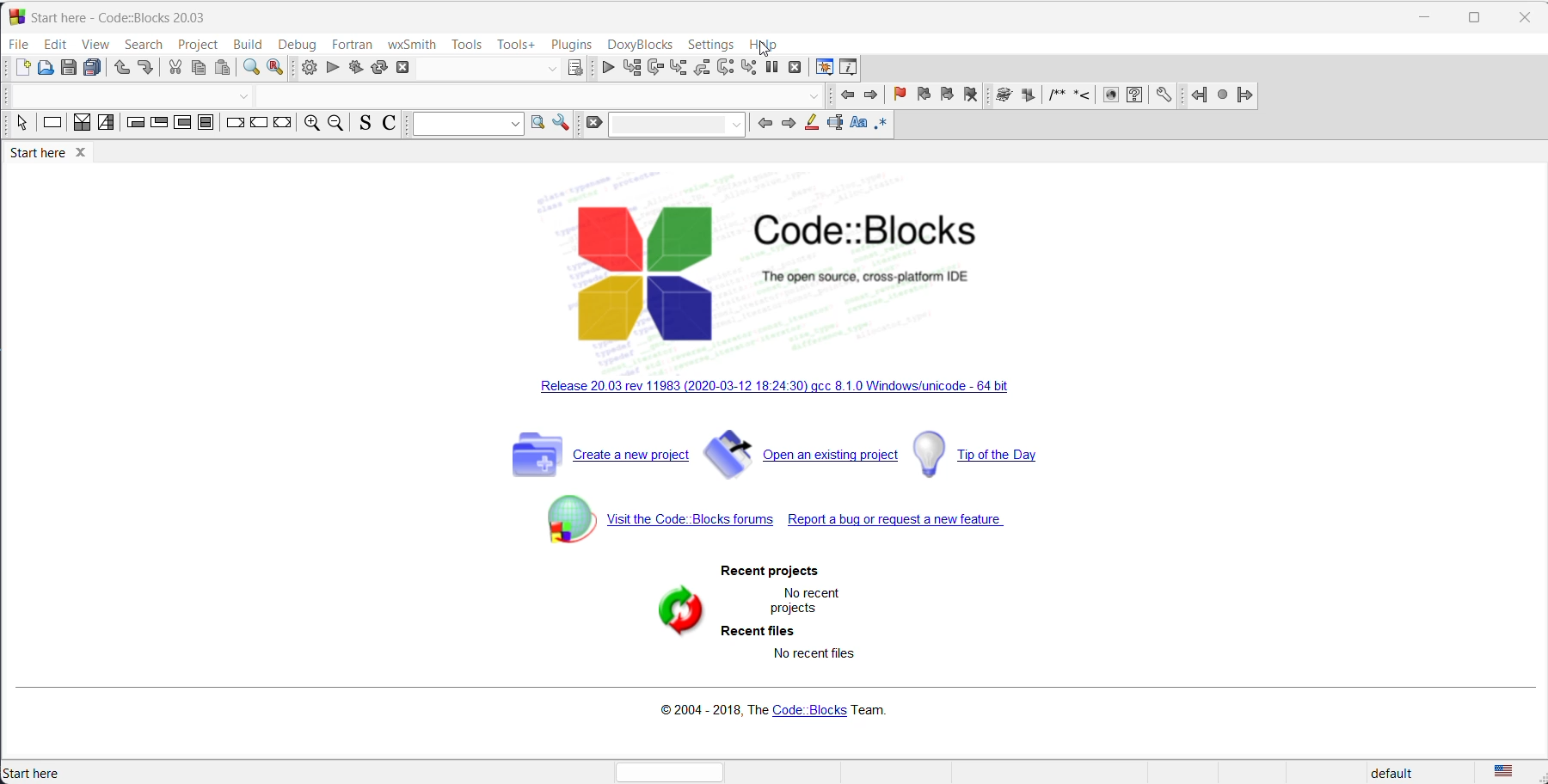 Image resolution: width=1548 pixels, height=784 pixels. Describe the element at coordinates (899, 521) in the screenshot. I see `Report a bug or request a new feature` at that location.